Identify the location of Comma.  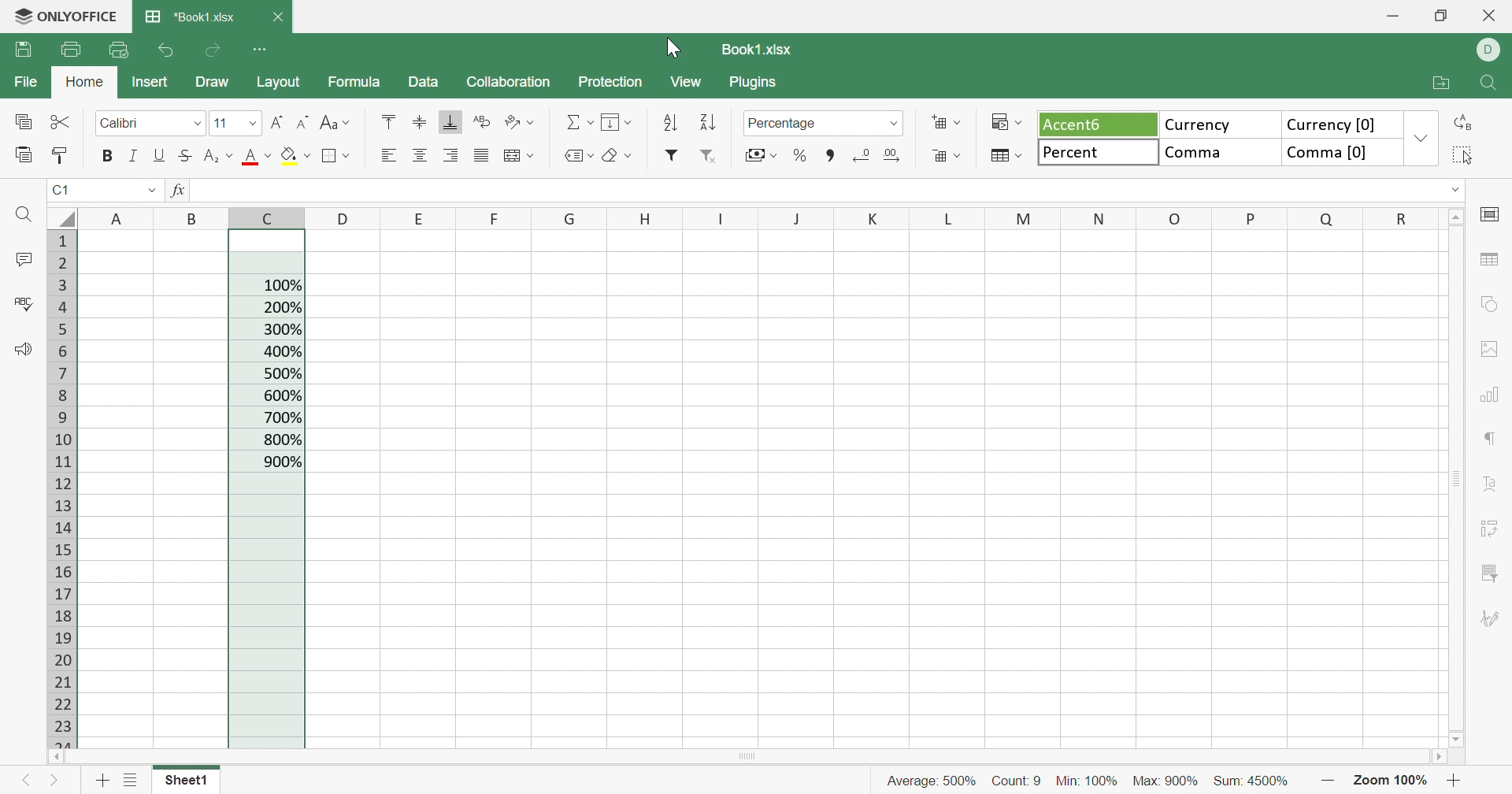
(1217, 154).